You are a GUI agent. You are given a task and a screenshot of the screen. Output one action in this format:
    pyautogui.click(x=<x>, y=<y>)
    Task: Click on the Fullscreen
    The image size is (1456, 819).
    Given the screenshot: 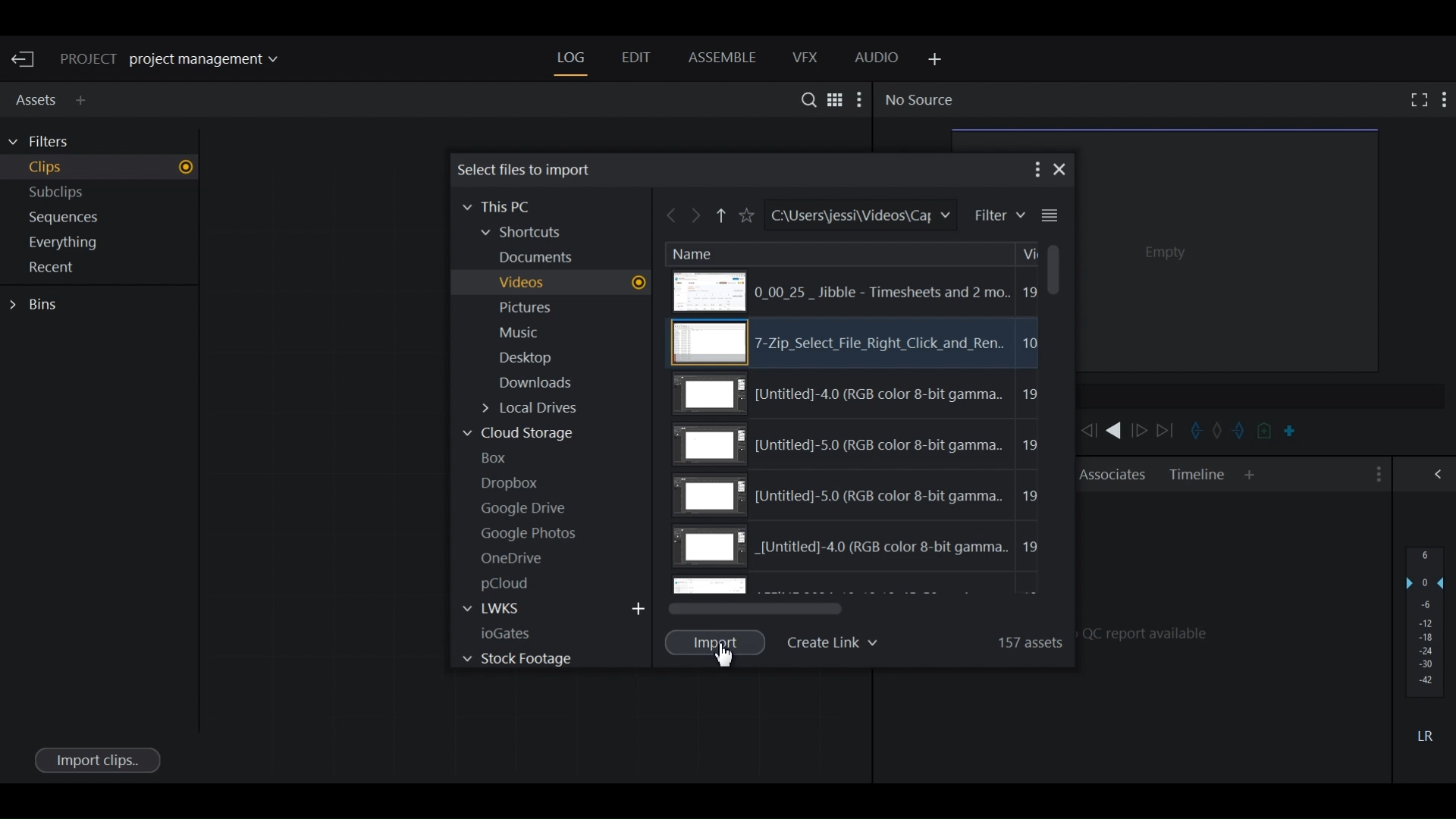 What is the action you would take?
    pyautogui.click(x=1416, y=99)
    